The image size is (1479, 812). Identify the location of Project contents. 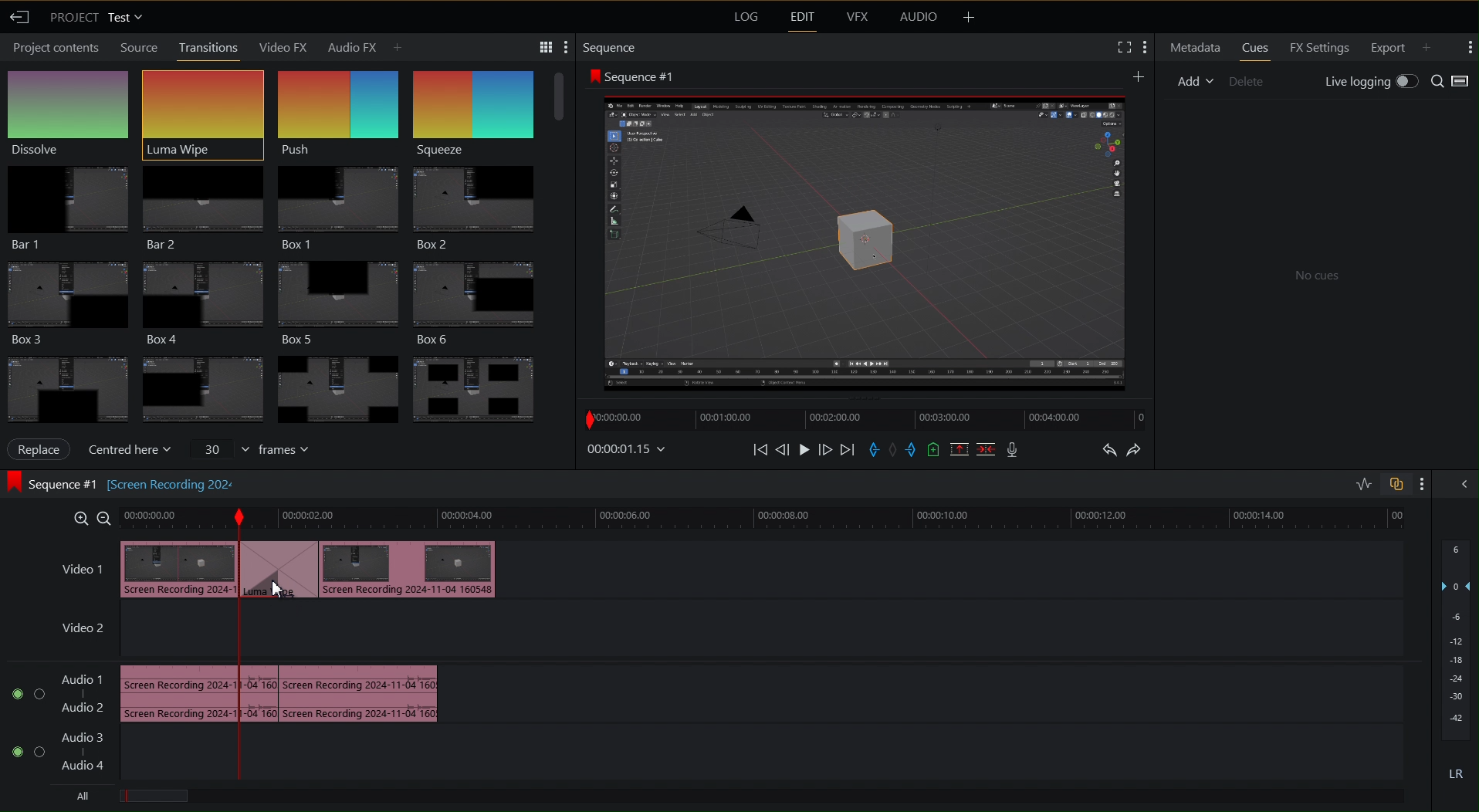
(53, 49).